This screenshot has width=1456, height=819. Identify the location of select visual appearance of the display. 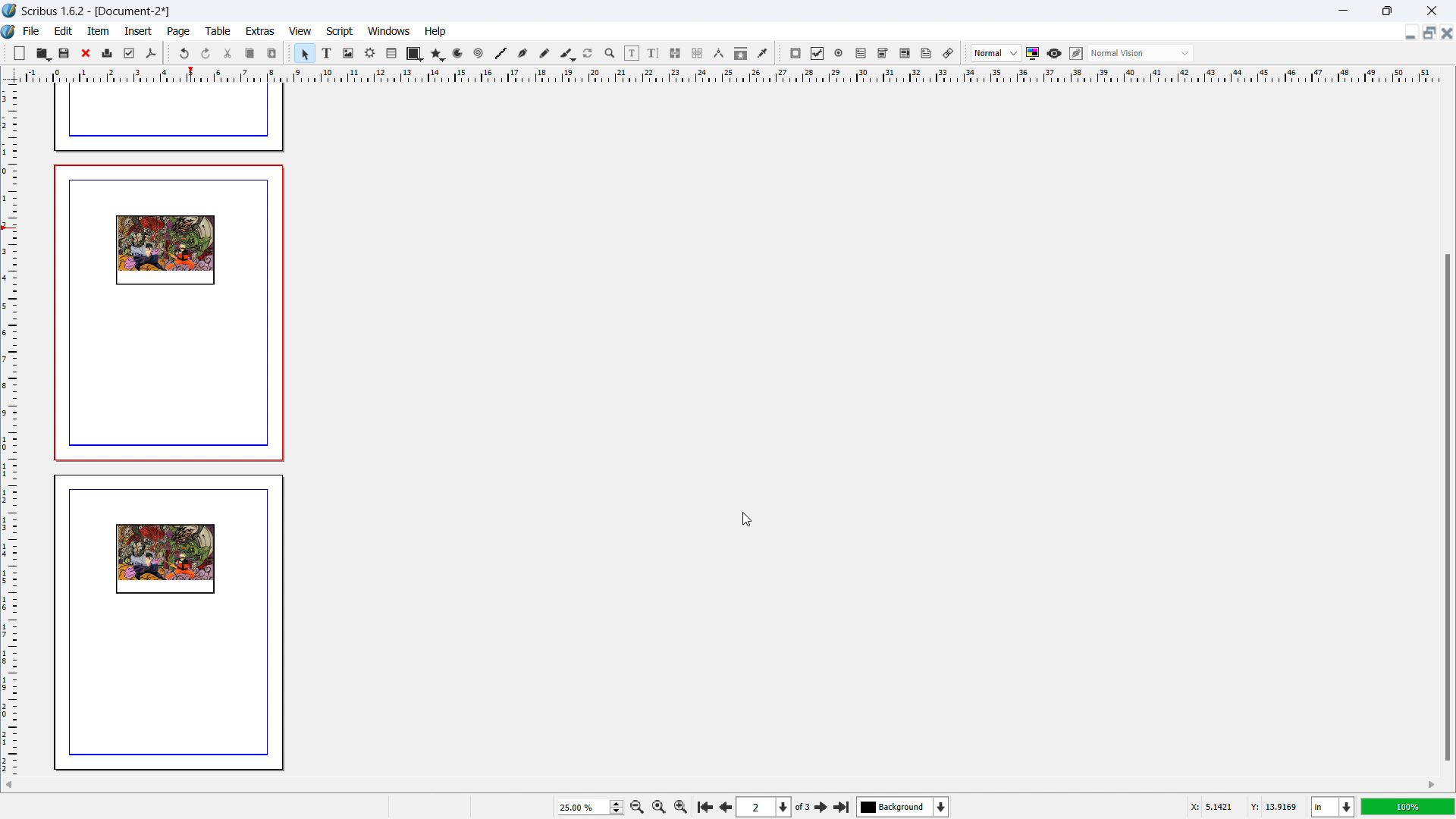
(1141, 53).